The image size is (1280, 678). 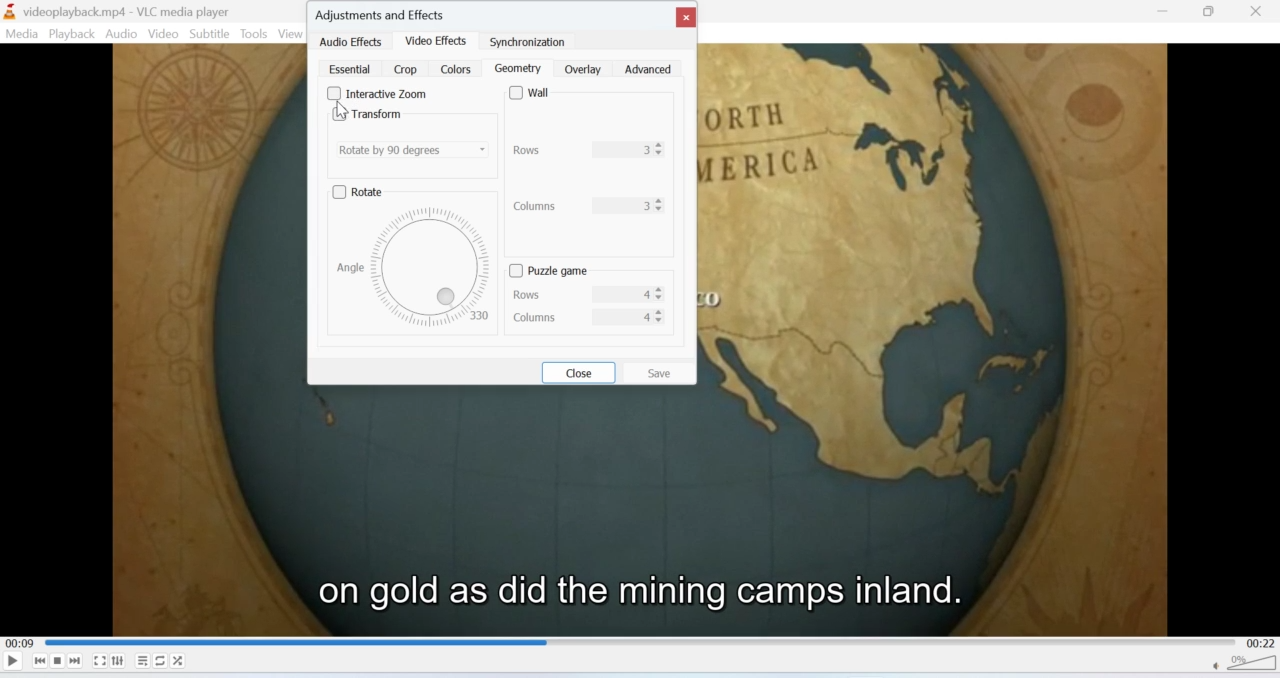 I want to click on rotate, so click(x=363, y=189).